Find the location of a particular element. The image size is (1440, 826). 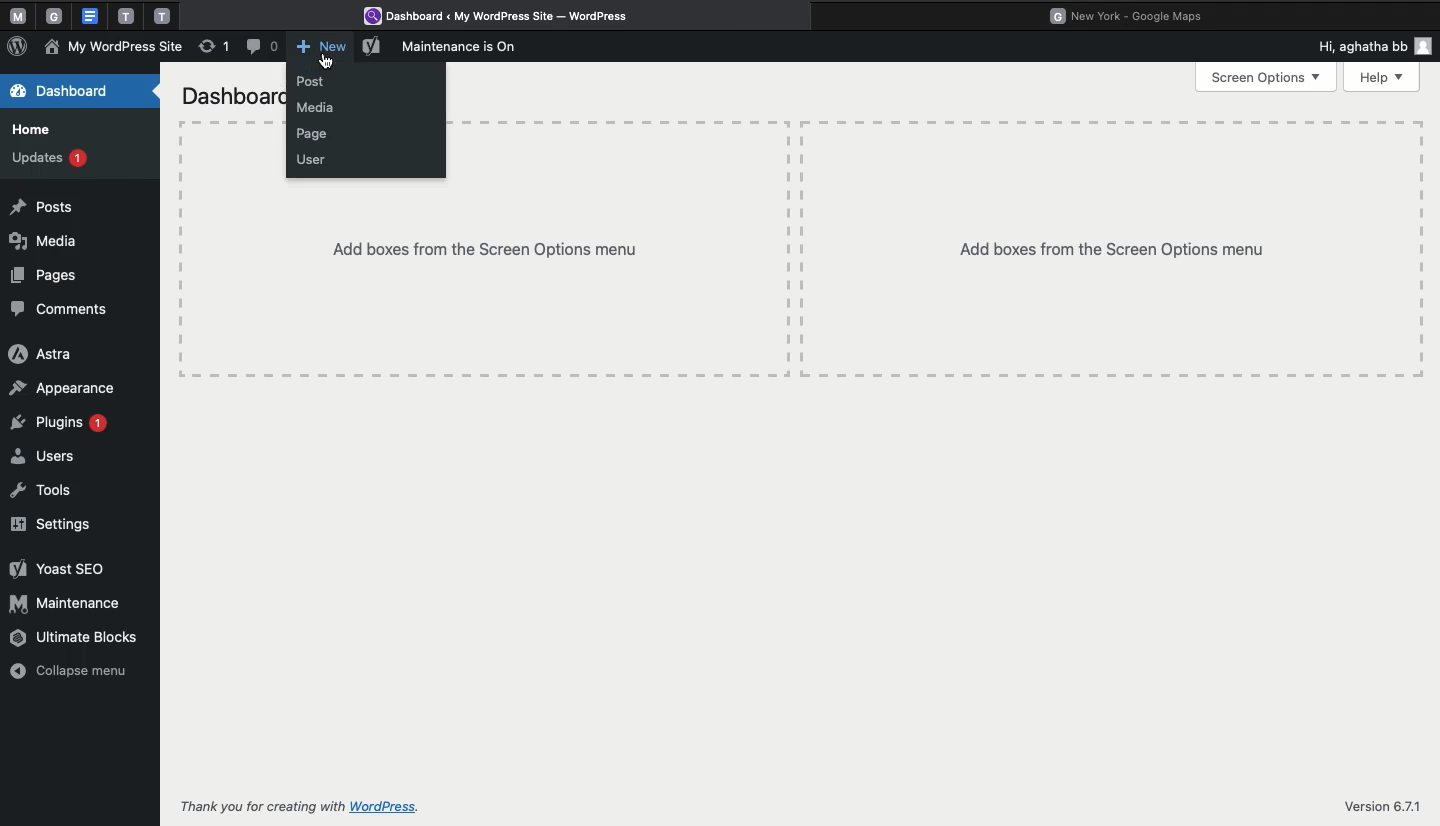

Ultimate blocks is located at coordinates (76, 636).